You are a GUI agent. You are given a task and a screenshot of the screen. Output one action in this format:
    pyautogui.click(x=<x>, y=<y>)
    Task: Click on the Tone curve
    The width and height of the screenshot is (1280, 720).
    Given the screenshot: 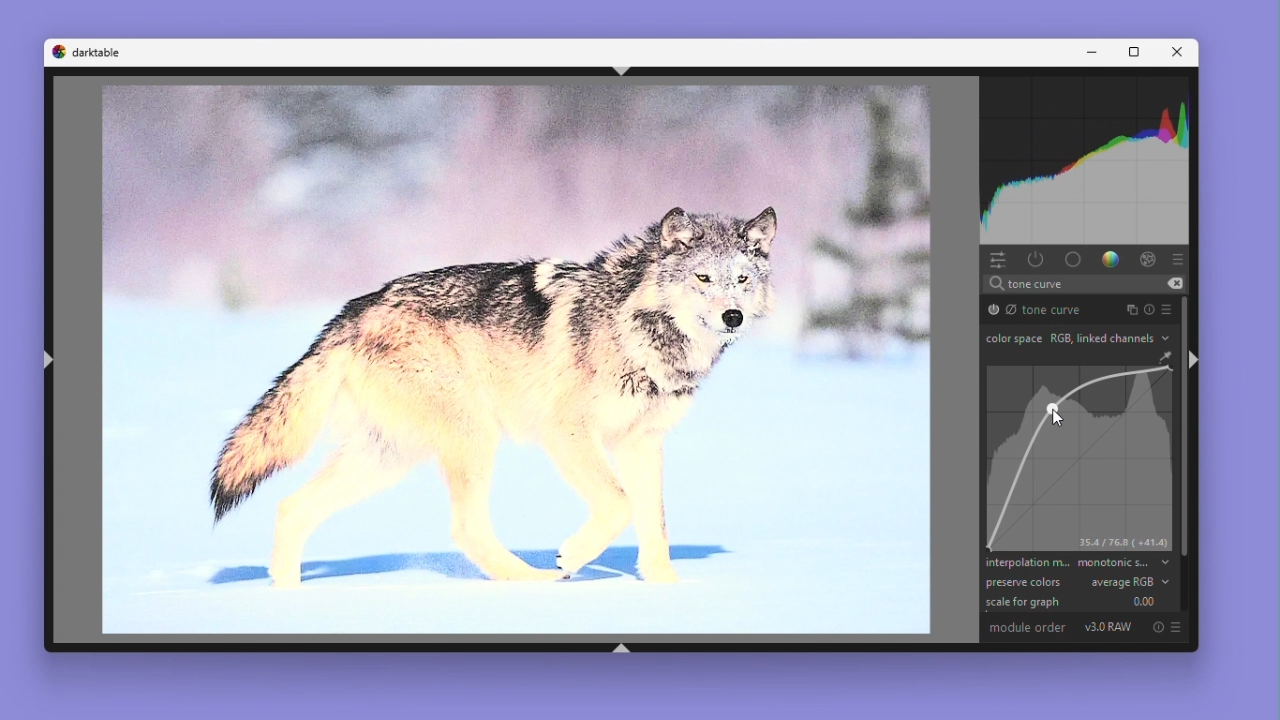 What is the action you would take?
    pyautogui.click(x=1044, y=309)
    